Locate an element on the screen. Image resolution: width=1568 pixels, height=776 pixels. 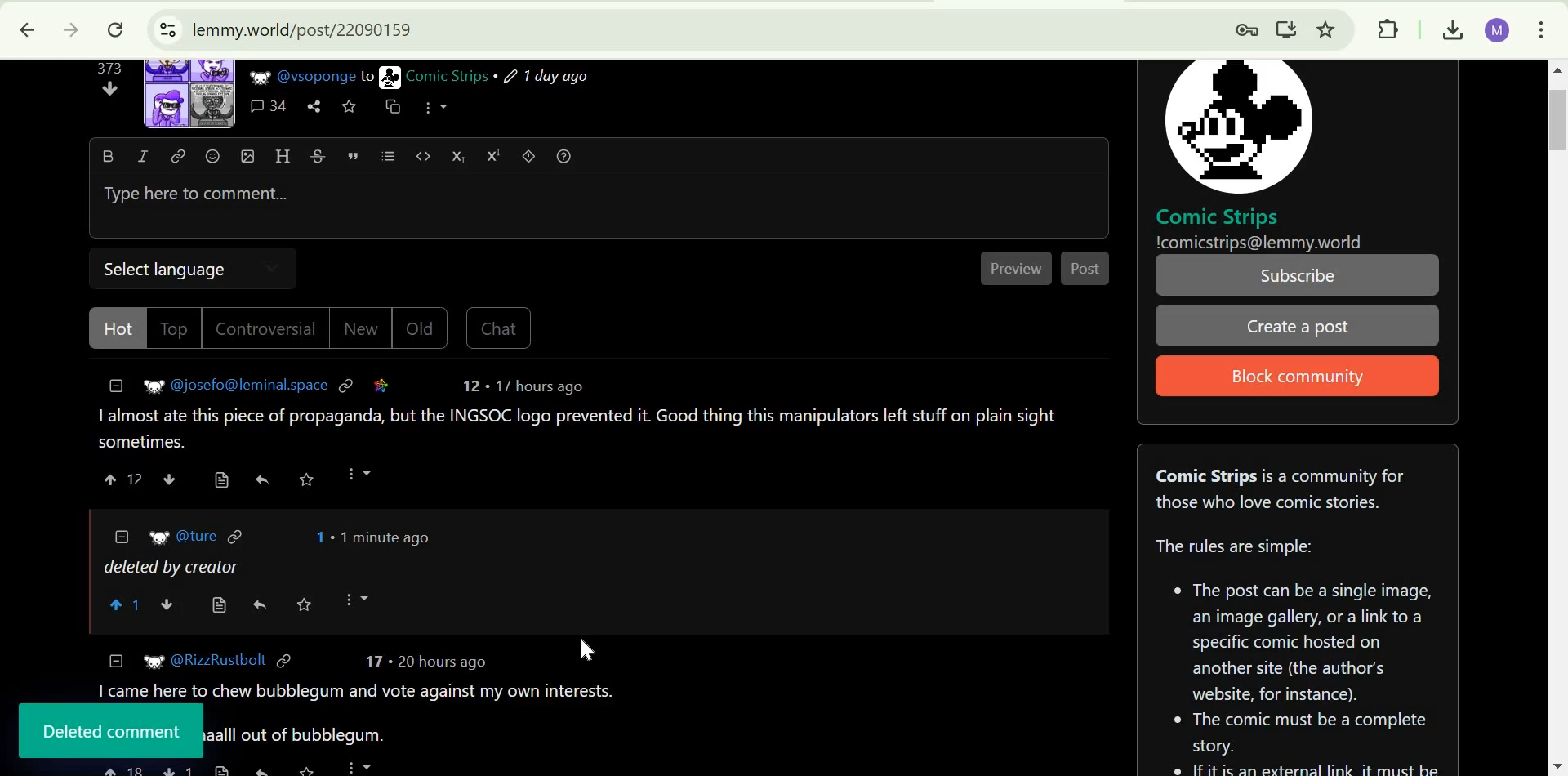
Controversial is located at coordinates (266, 328).